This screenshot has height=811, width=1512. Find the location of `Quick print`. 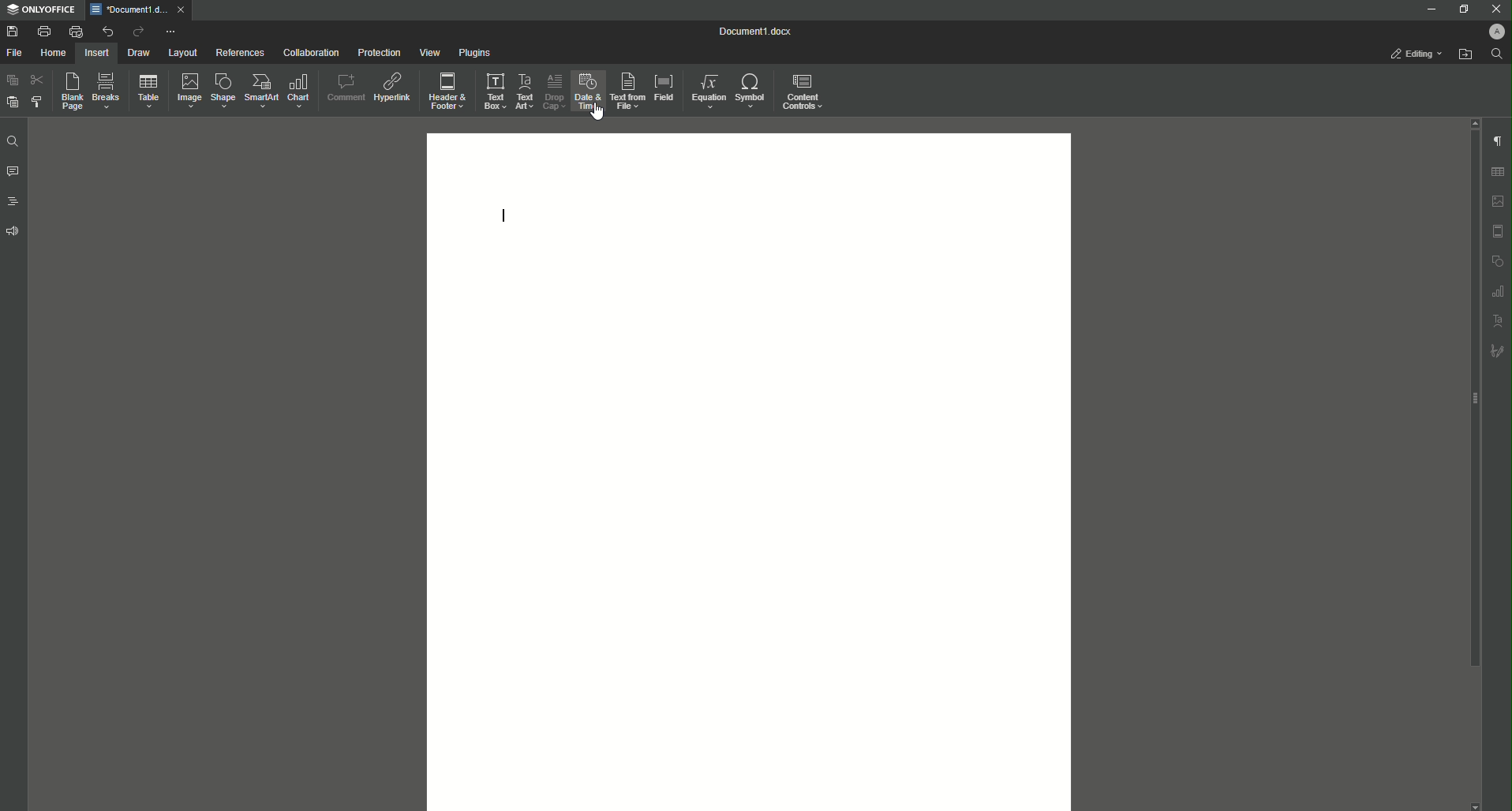

Quick print is located at coordinates (75, 32).